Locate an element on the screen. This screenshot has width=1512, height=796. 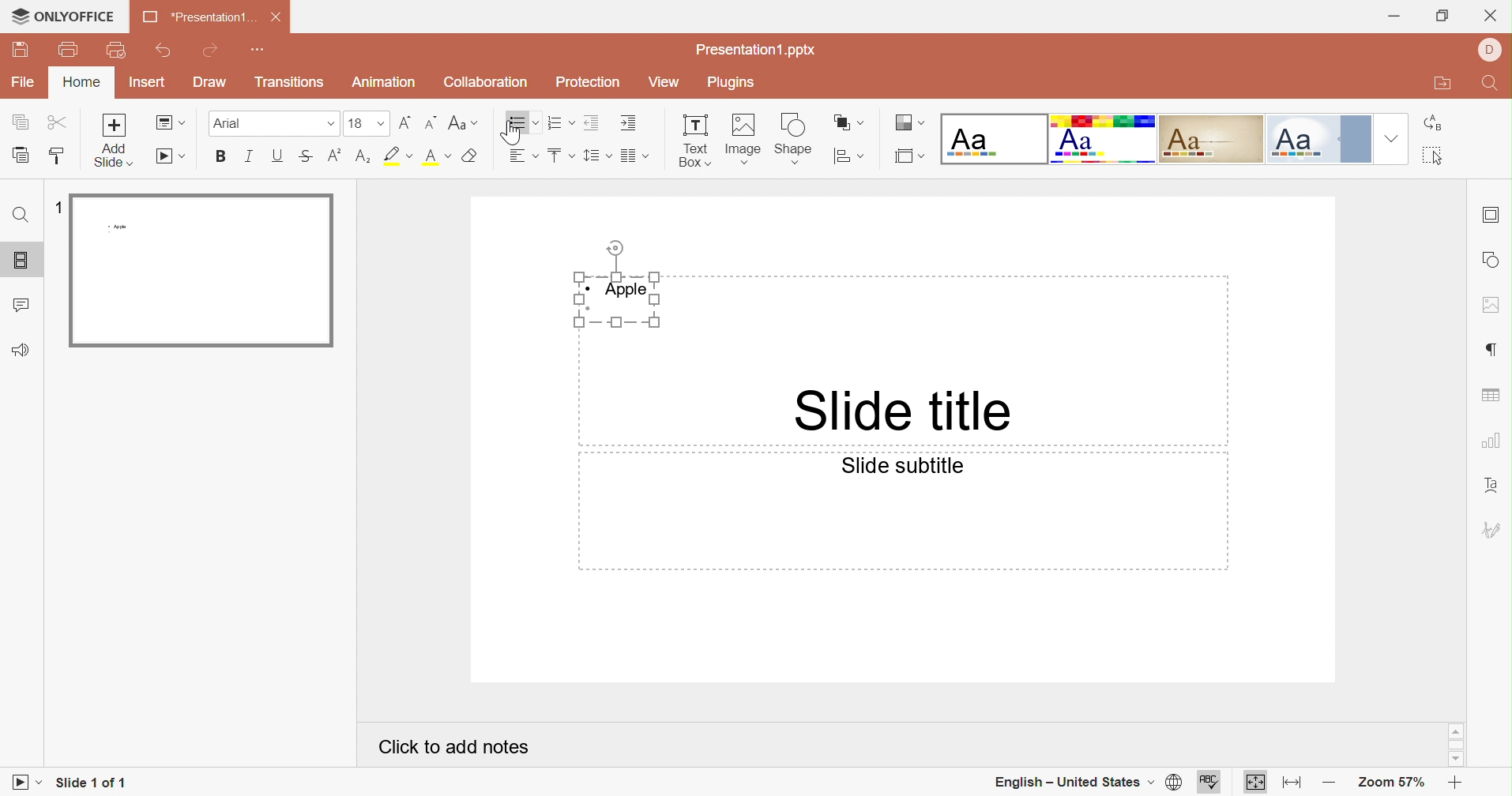
Protection is located at coordinates (591, 83).